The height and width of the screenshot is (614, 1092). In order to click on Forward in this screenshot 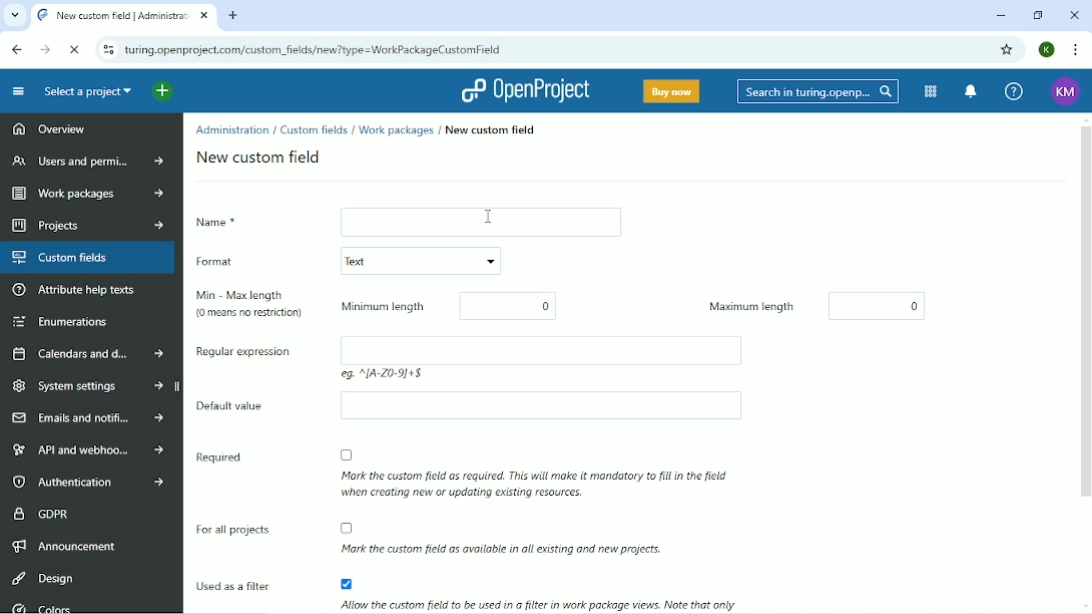, I will do `click(45, 49)`.